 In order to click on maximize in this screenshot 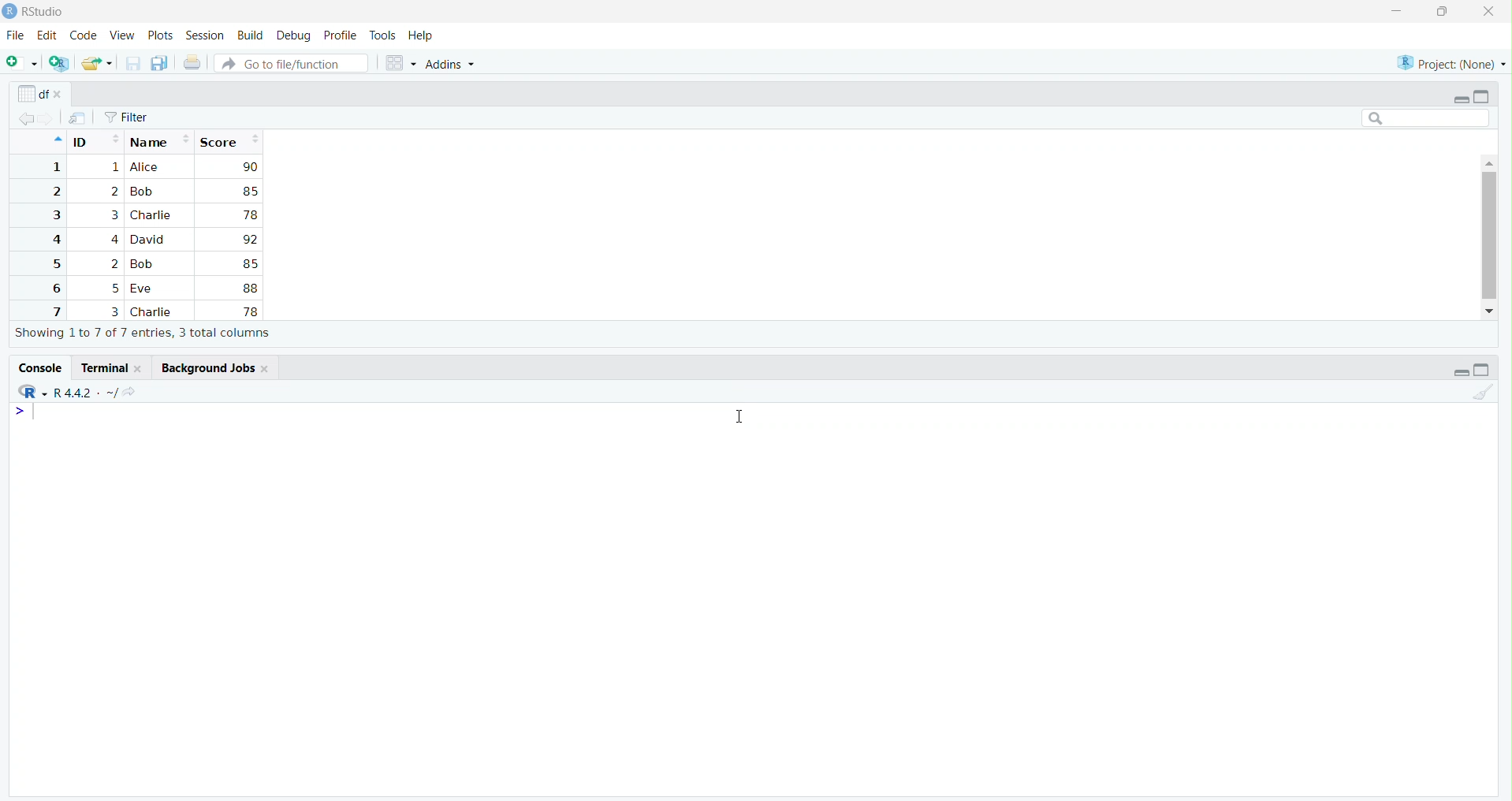, I will do `click(1482, 370)`.